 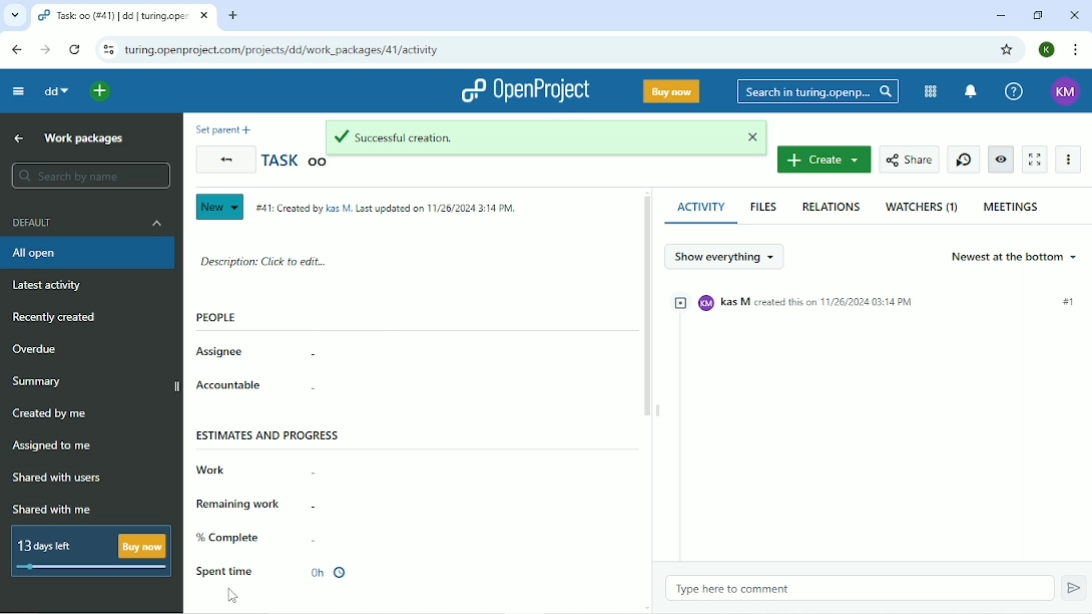 What do you see at coordinates (18, 91) in the screenshot?
I see `Collapse project menu` at bounding box center [18, 91].